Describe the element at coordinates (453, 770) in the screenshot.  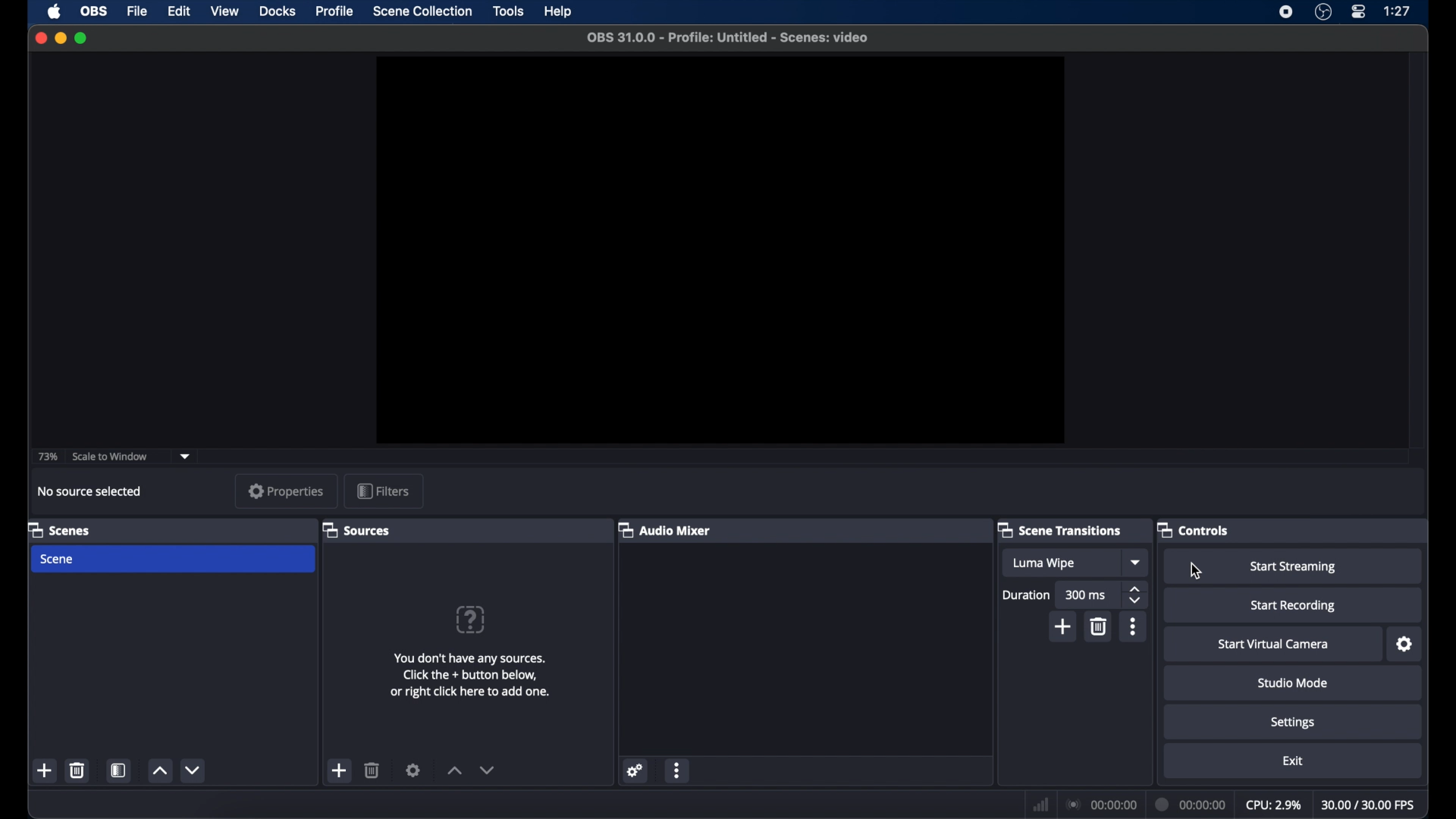
I see `increment` at that location.